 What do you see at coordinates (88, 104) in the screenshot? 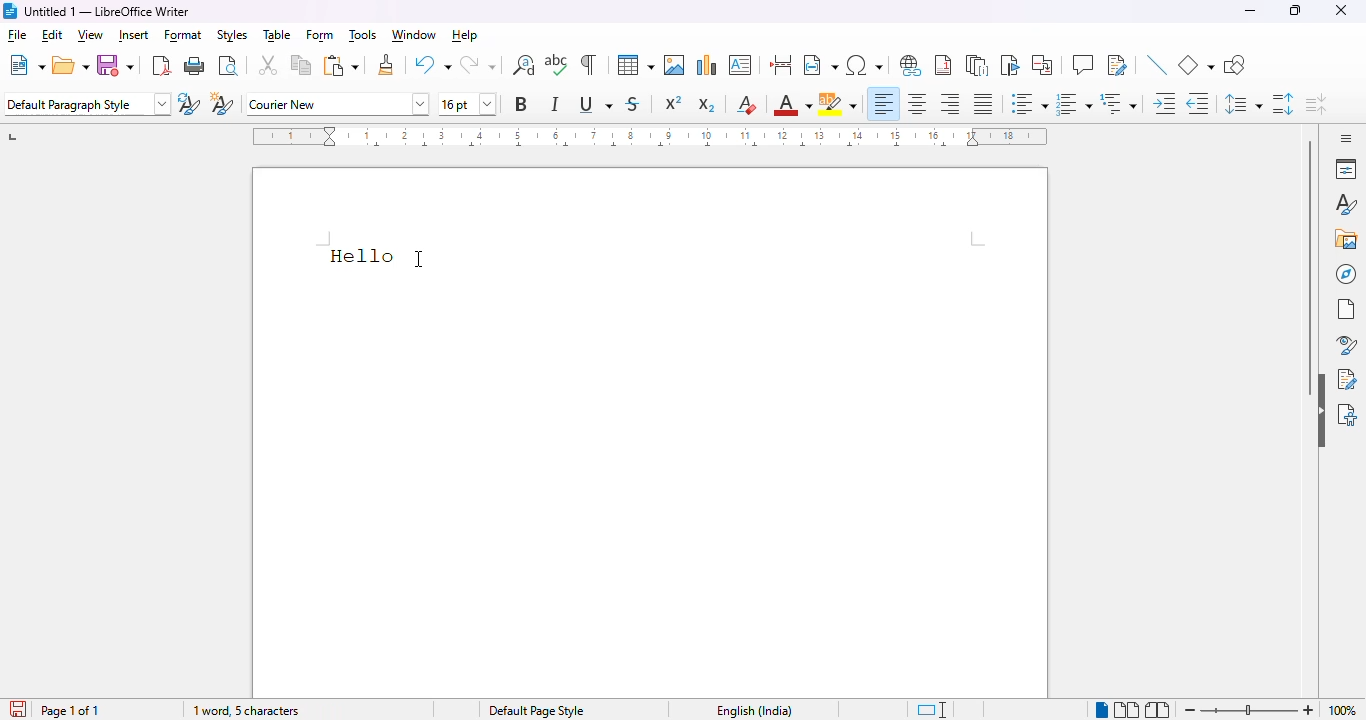
I see `set paragraph style` at bounding box center [88, 104].